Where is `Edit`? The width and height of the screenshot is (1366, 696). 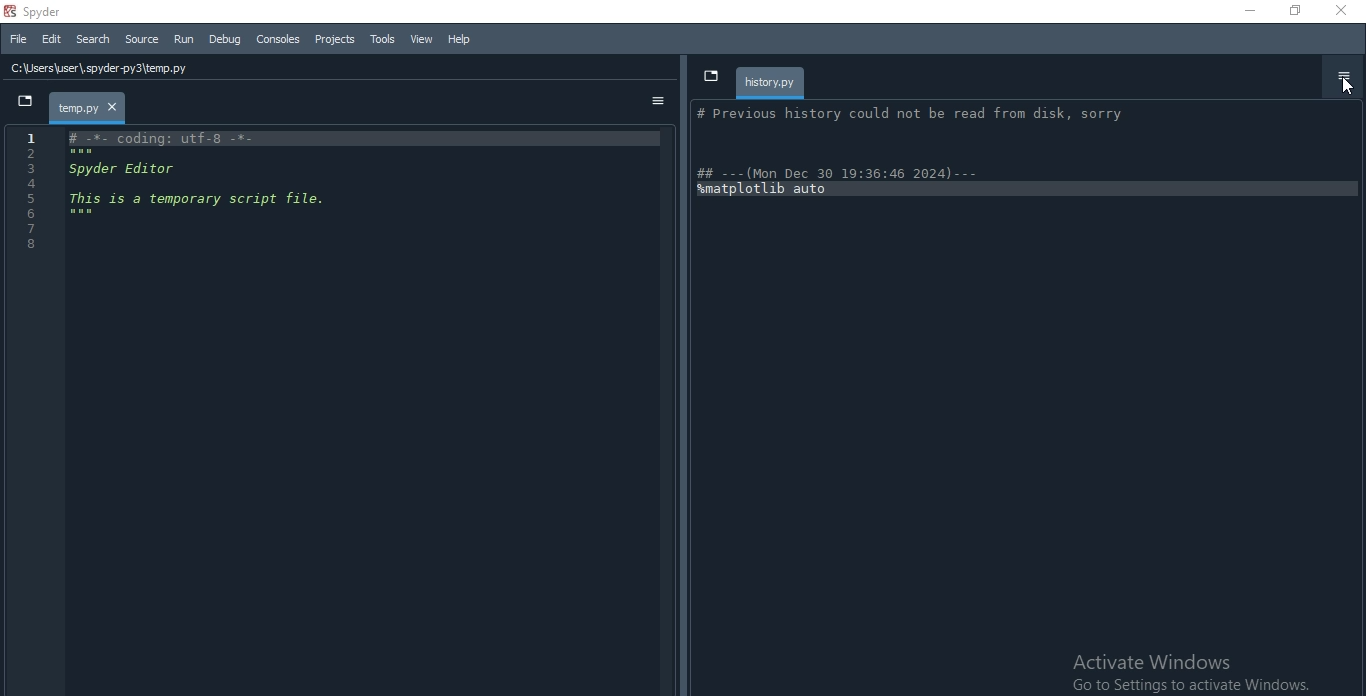 Edit is located at coordinates (50, 41).